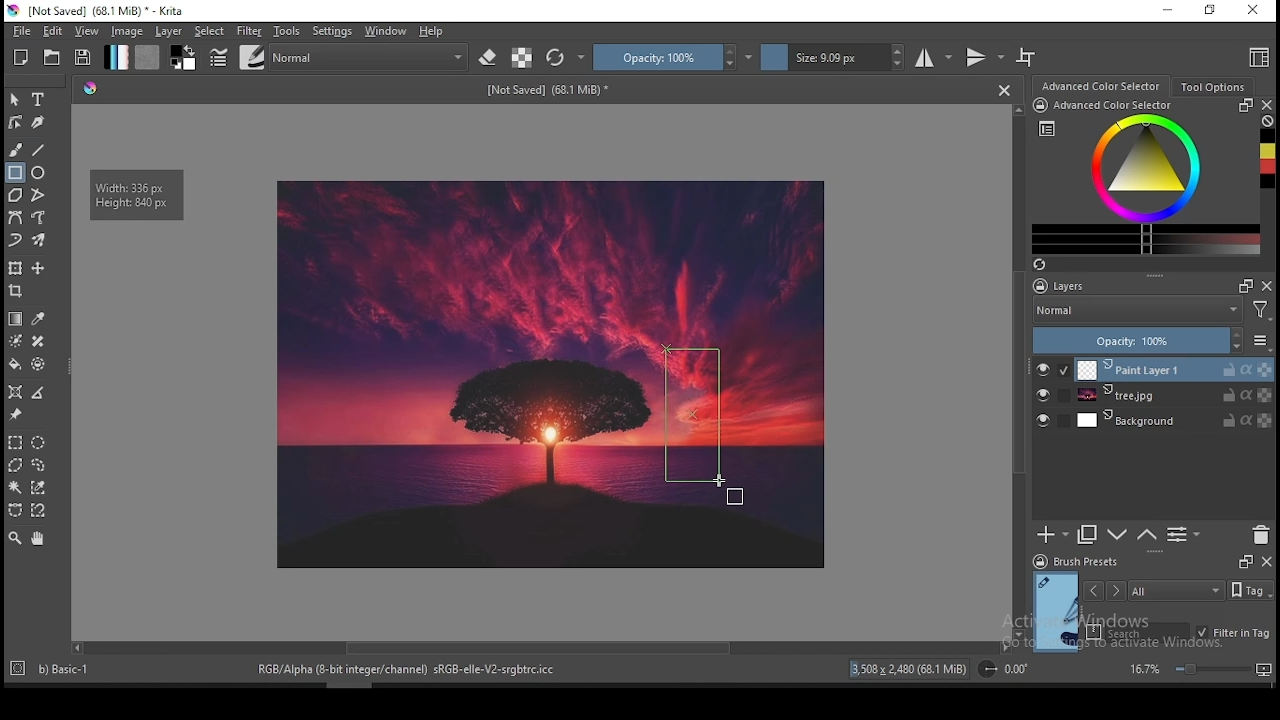 The width and height of the screenshot is (1280, 720). I want to click on colors, so click(184, 58).